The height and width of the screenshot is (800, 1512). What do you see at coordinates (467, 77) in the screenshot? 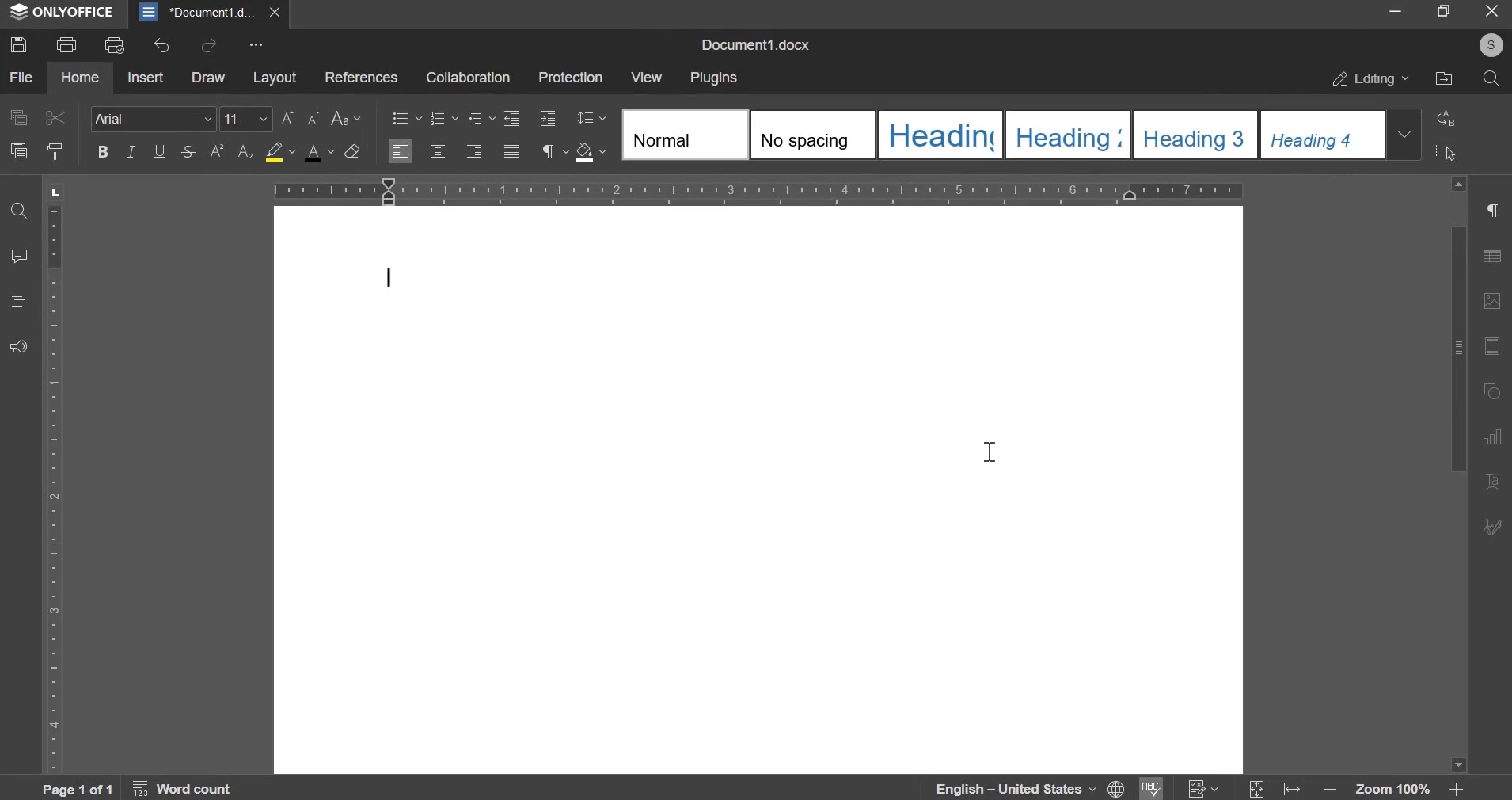
I see `collaboration` at bounding box center [467, 77].